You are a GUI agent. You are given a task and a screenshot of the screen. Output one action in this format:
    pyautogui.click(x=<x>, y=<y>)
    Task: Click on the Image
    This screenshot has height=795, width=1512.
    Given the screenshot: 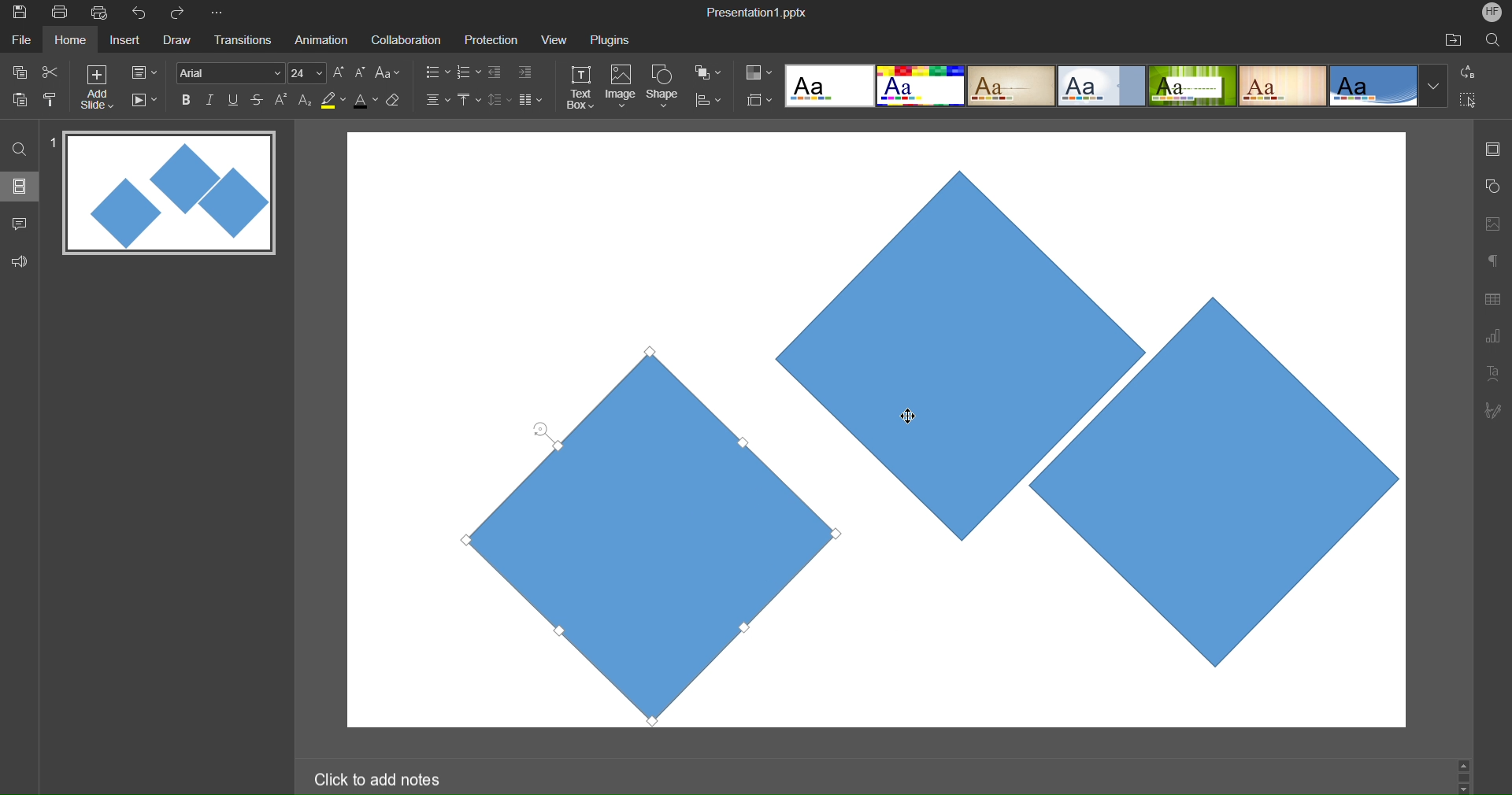 What is the action you would take?
    pyautogui.click(x=621, y=88)
    